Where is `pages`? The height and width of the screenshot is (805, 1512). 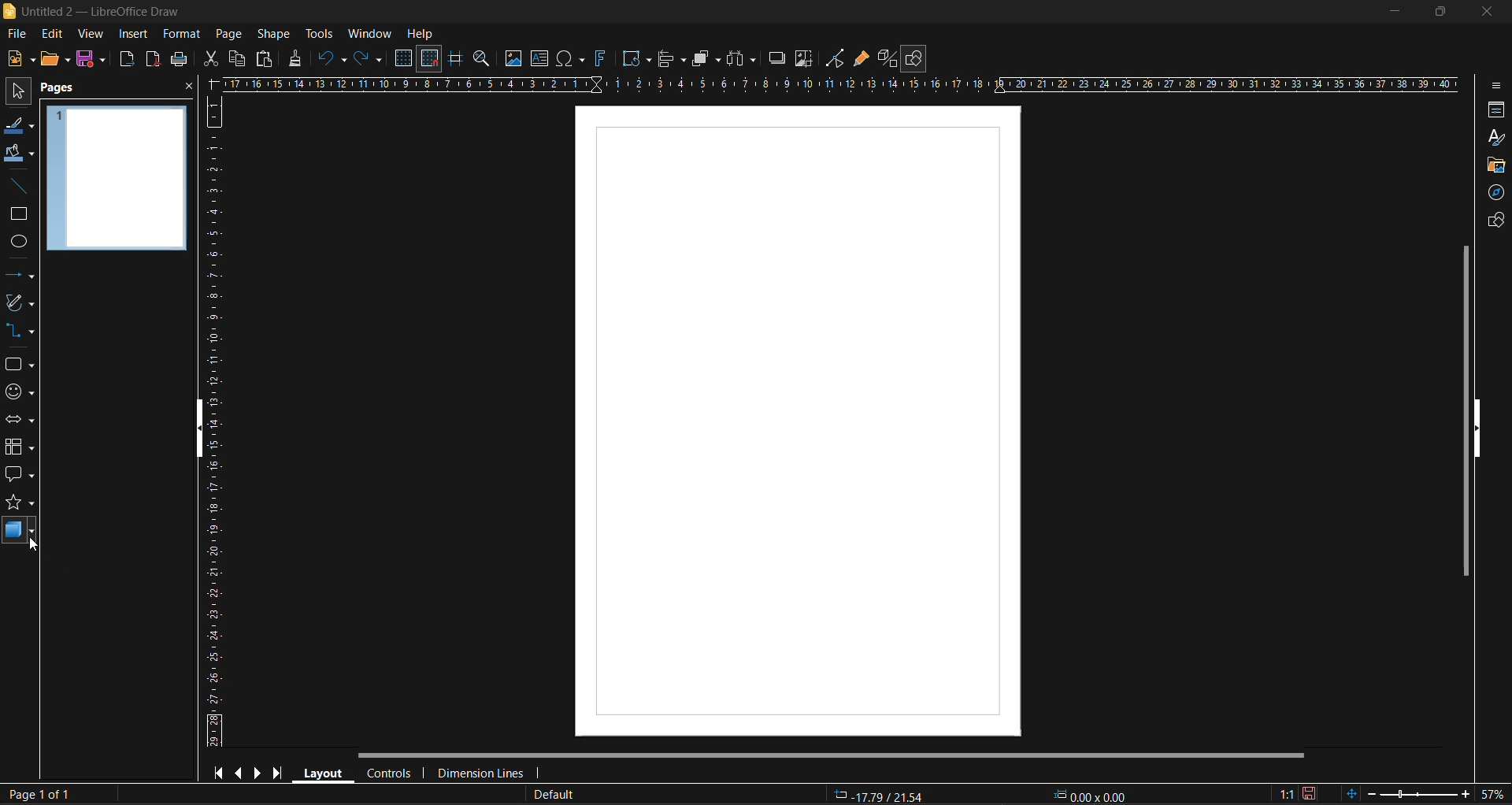
pages is located at coordinates (62, 88).